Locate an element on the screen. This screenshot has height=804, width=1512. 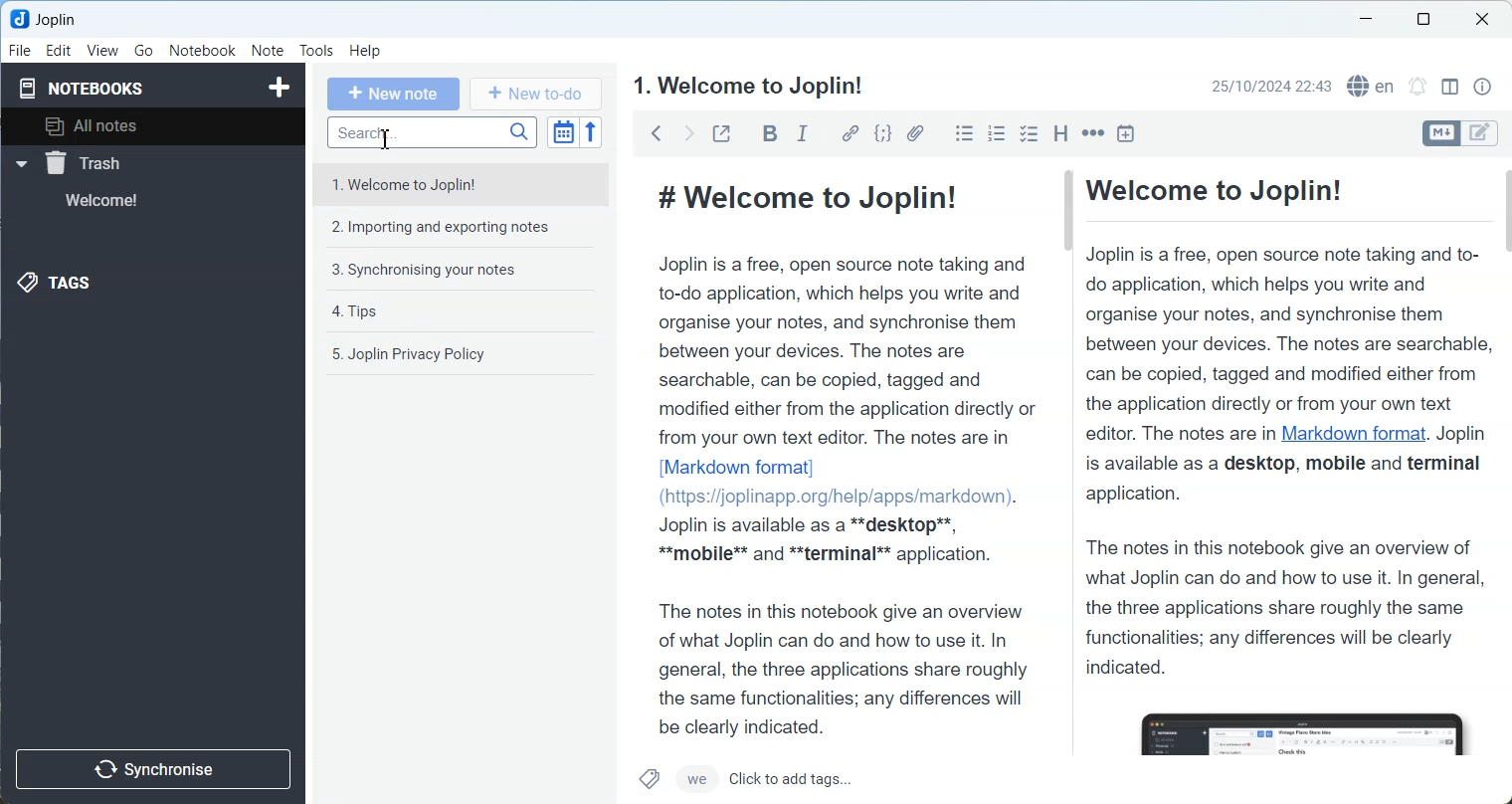
Cursor is located at coordinates (387, 139).